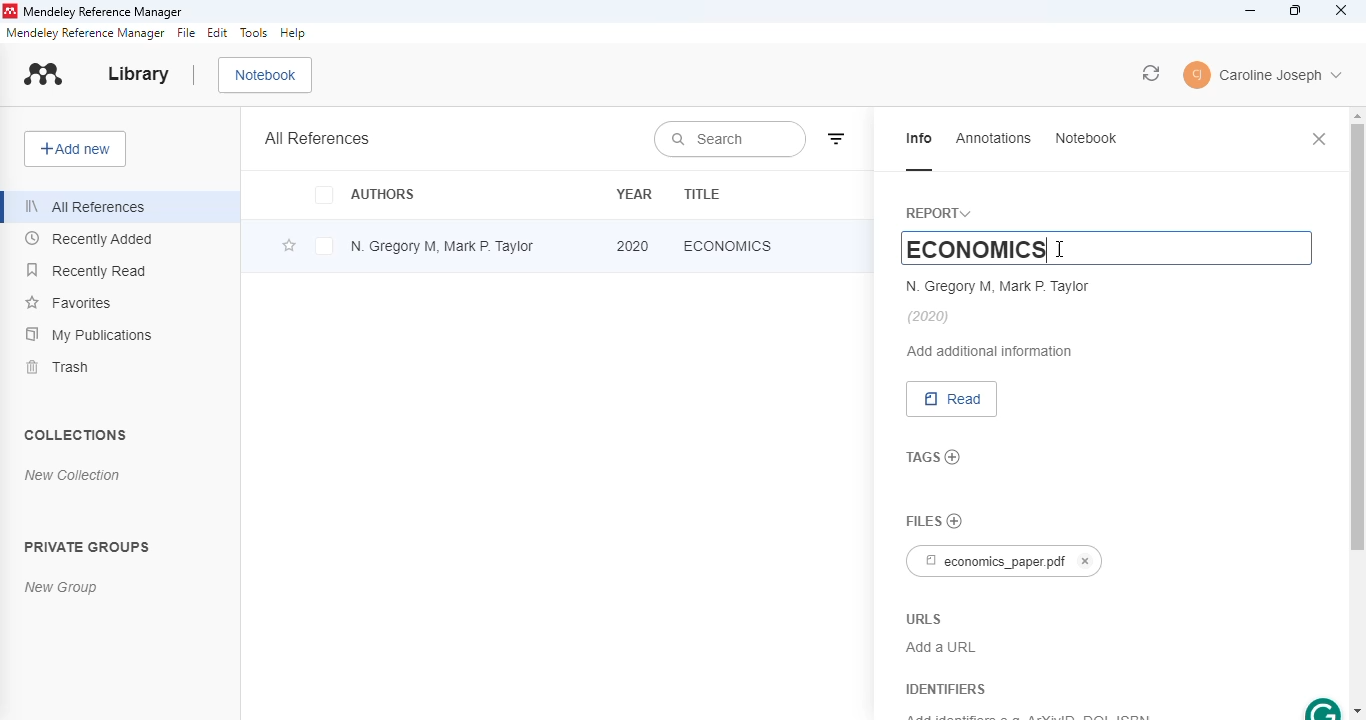 Image resolution: width=1366 pixels, height=720 pixels. I want to click on N. Gregory M, Mark P. Taylor, so click(441, 246).